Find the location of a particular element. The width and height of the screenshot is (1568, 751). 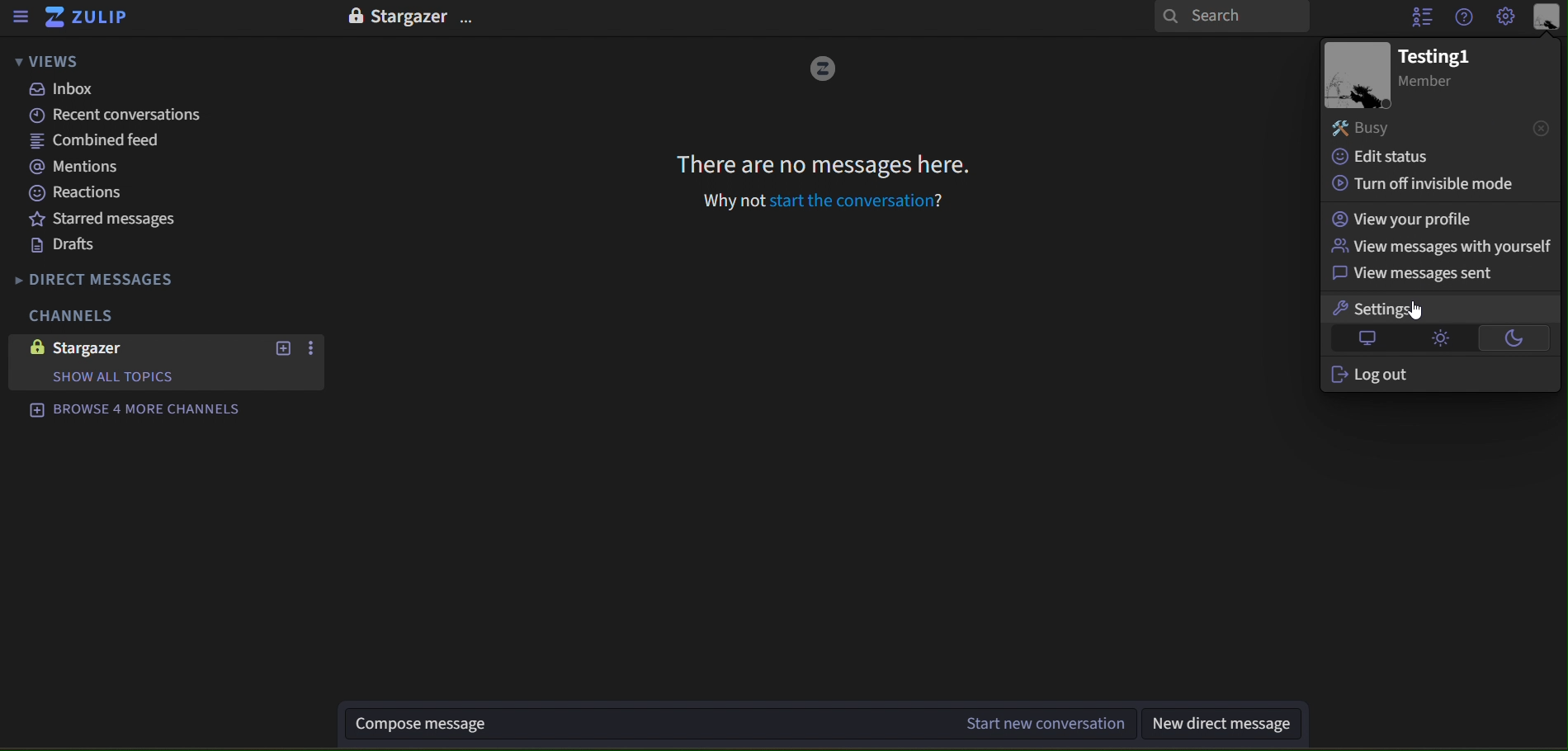

hide user list is located at coordinates (1415, 17).